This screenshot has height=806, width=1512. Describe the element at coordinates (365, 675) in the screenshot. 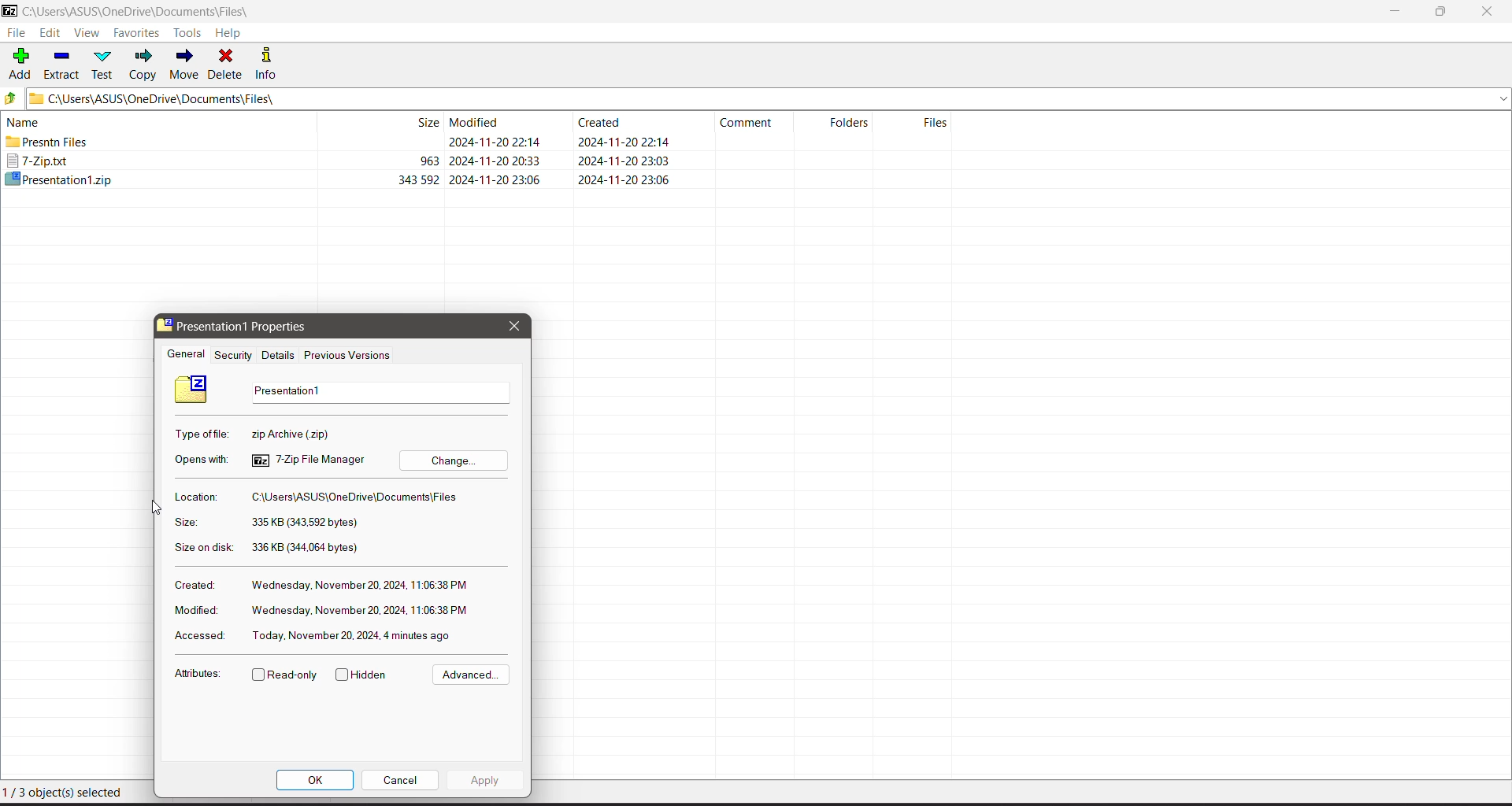

I see `Hidden- click to enable/disable` at that location.